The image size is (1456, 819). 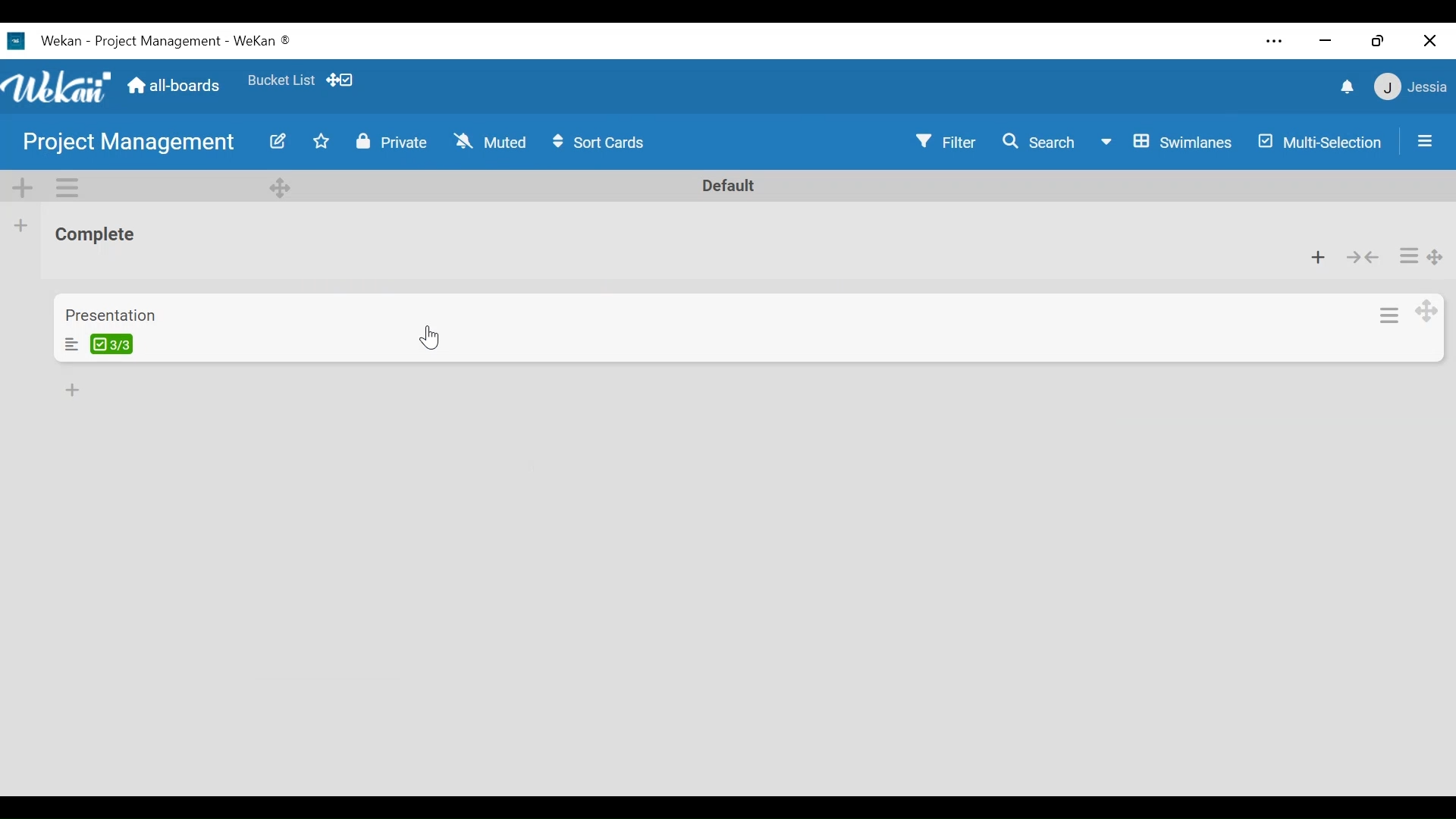 I want to click on Board View, so click(x=1164, y=143).